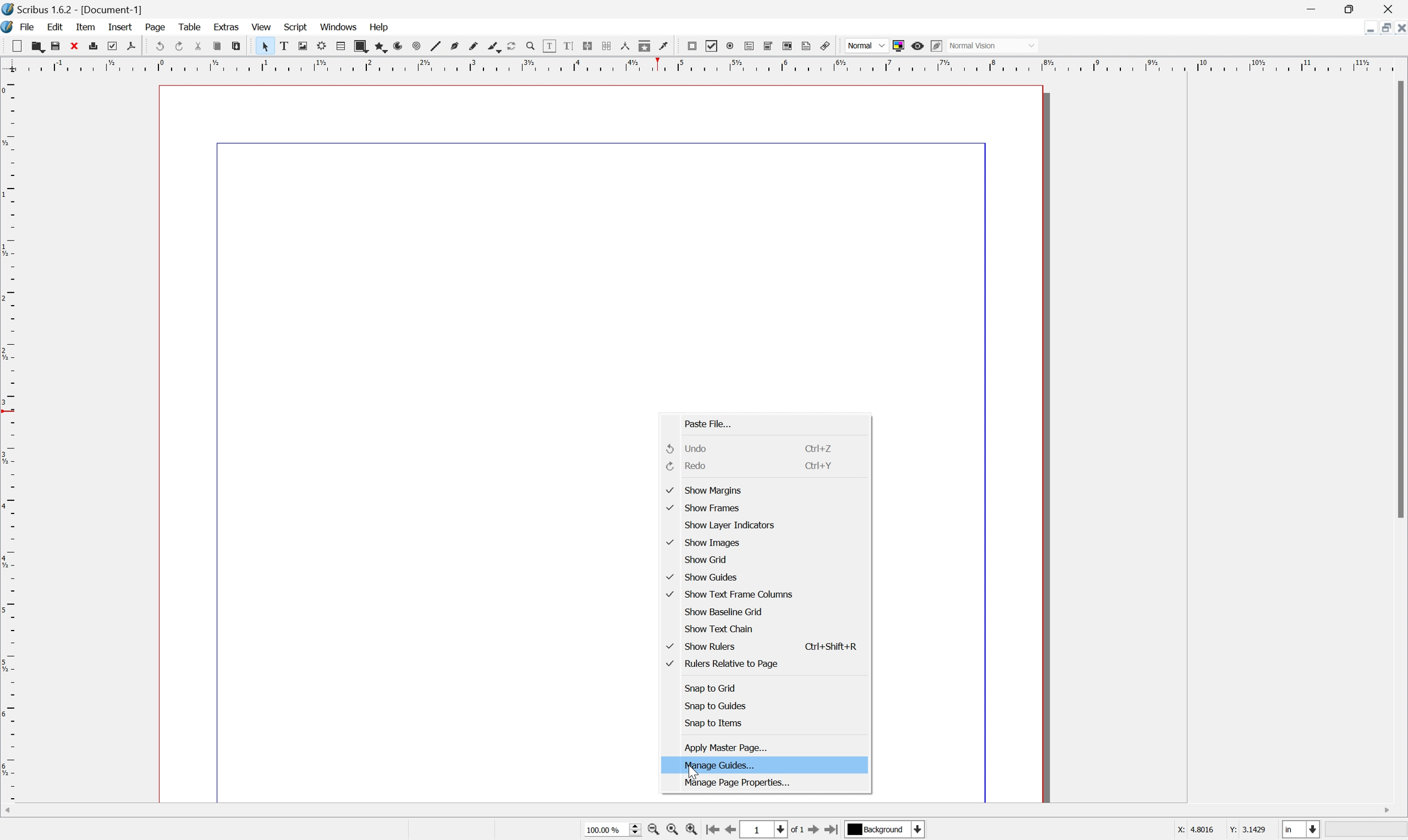  I want to click on extras, so click(226, 27).